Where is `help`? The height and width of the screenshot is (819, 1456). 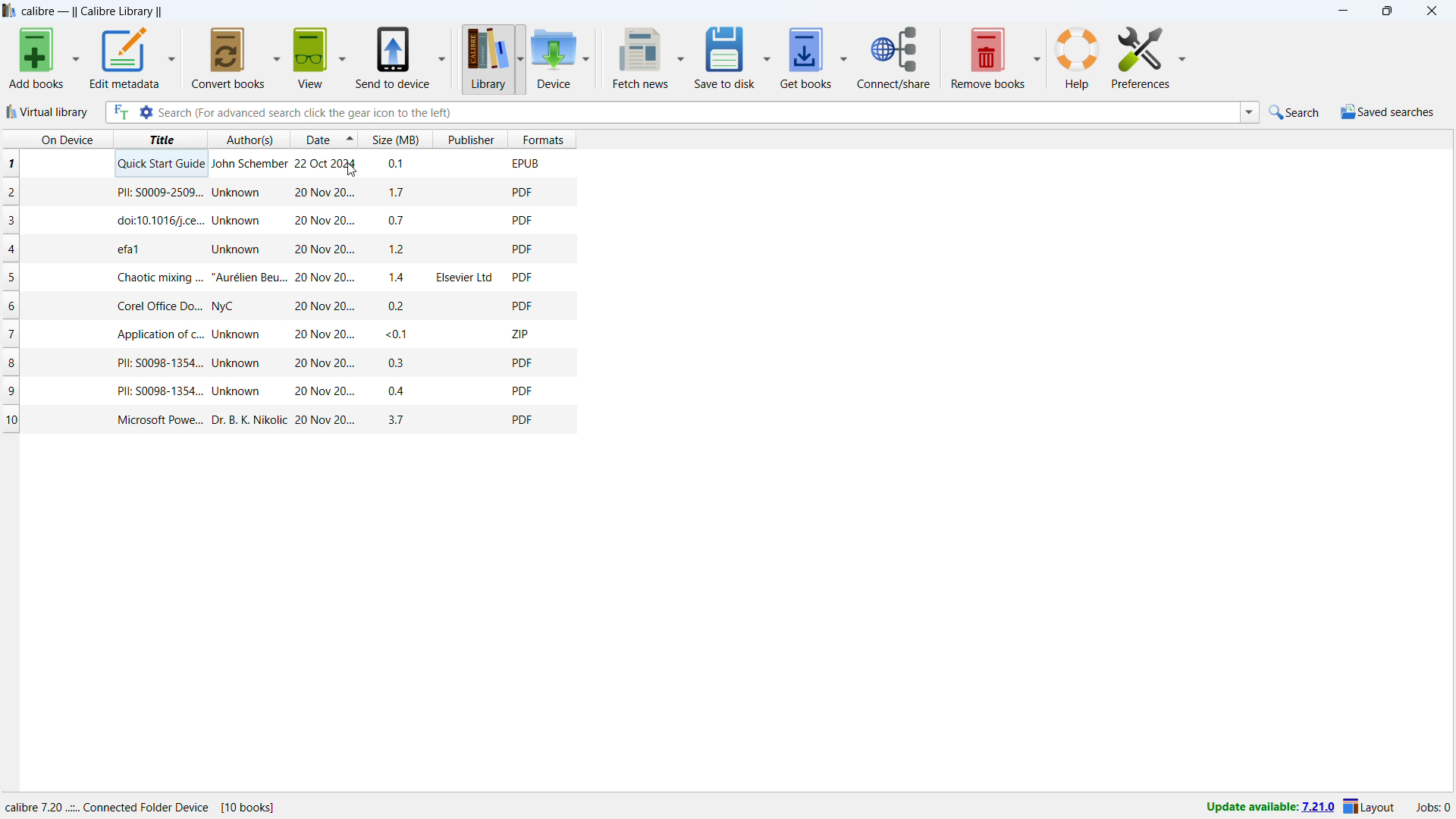
help is located at coordinates (1078, 58).